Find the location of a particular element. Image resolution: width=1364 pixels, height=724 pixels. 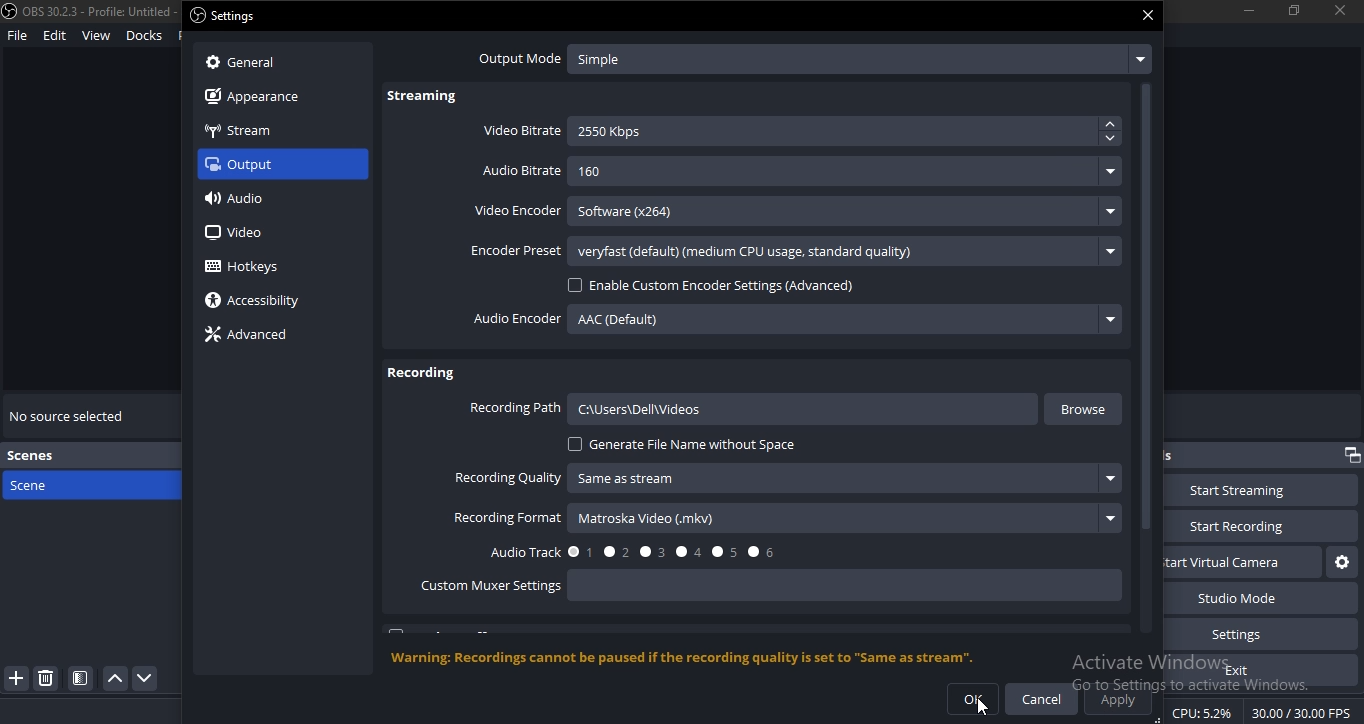

down is located at coordinates (1109, 139).